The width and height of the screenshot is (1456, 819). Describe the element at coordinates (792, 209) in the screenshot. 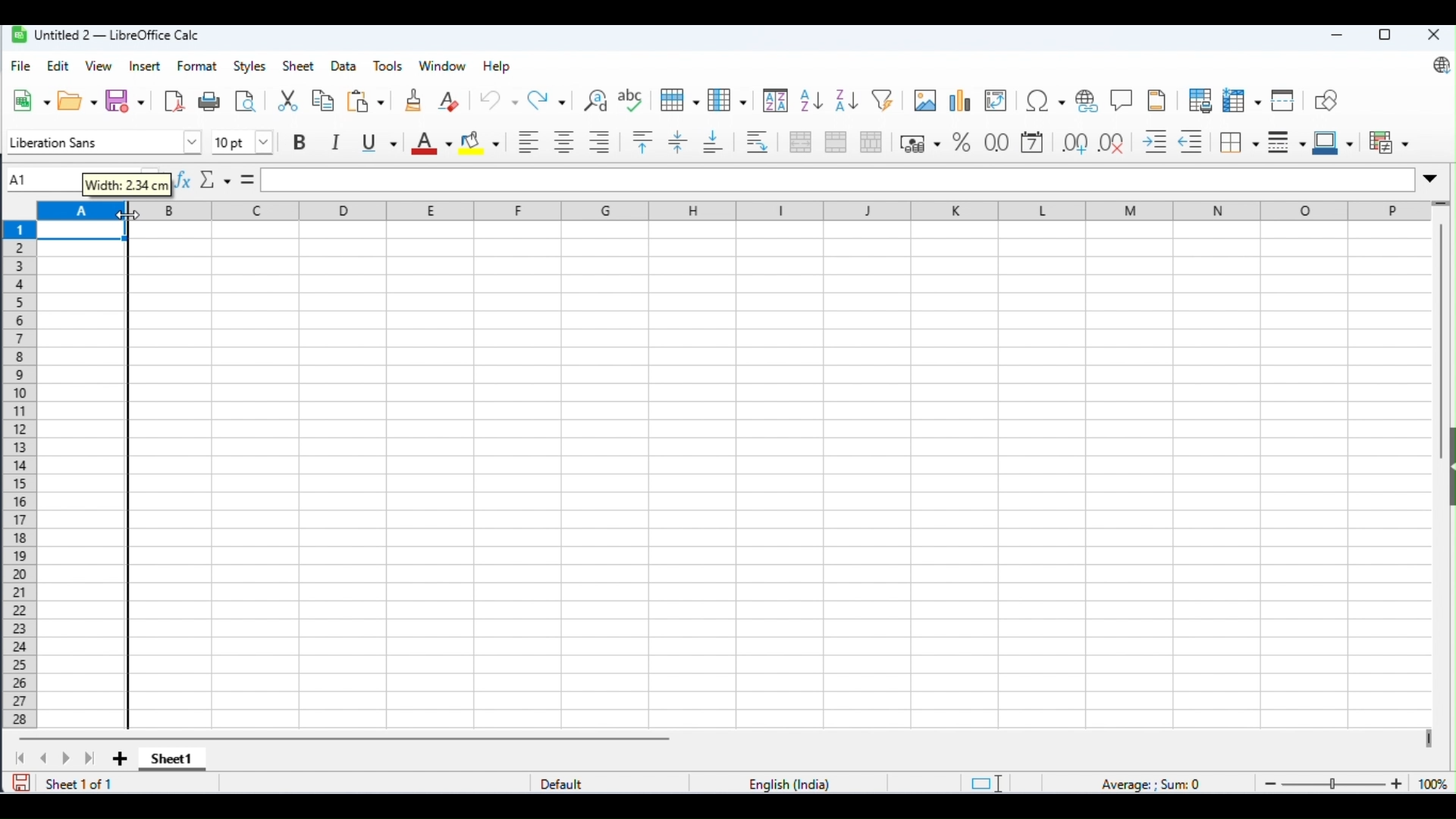

I see `column headings` at that location.